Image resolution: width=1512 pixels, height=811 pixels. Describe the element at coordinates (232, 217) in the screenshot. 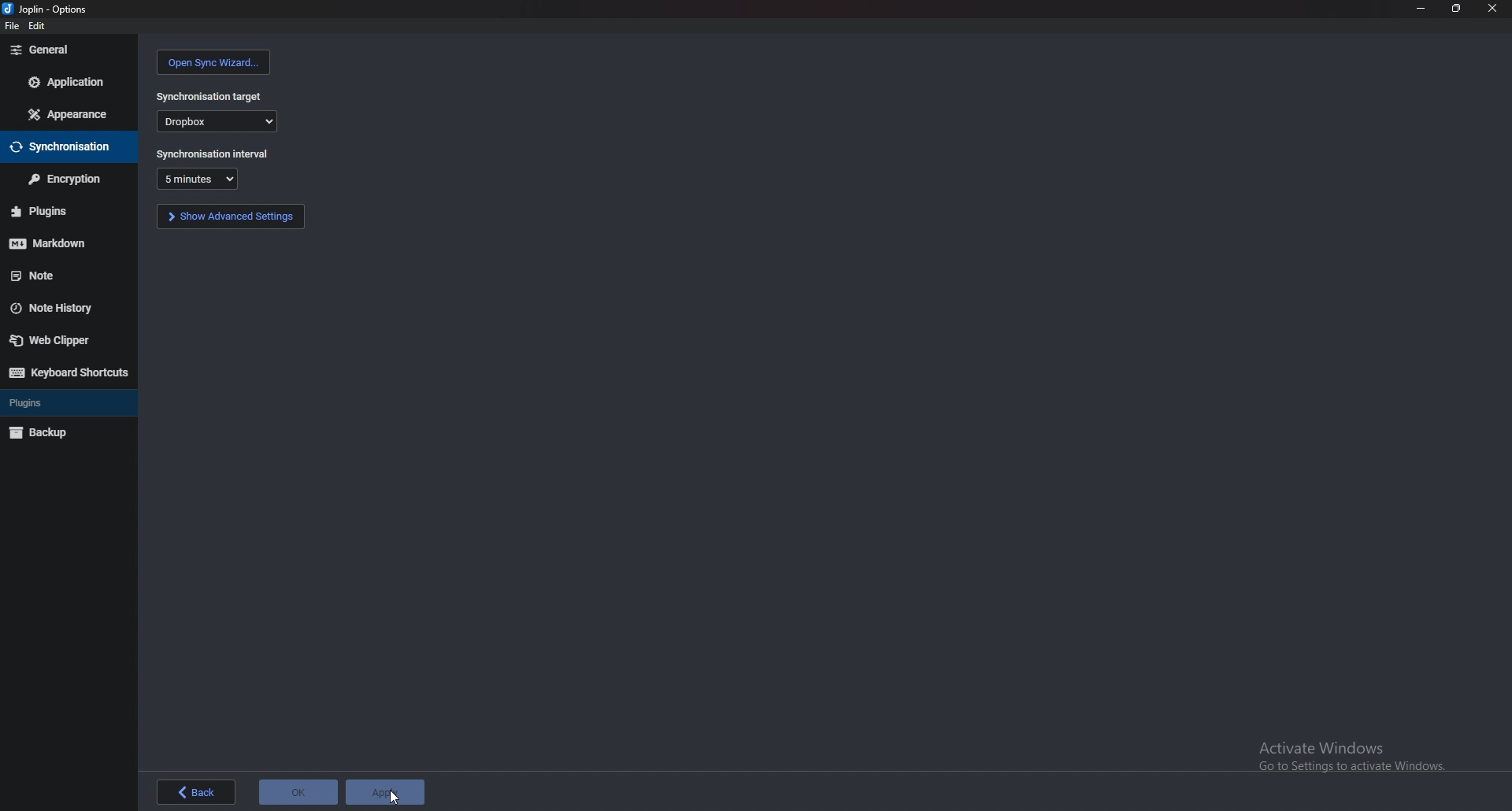

I see `show advanced` at that location.